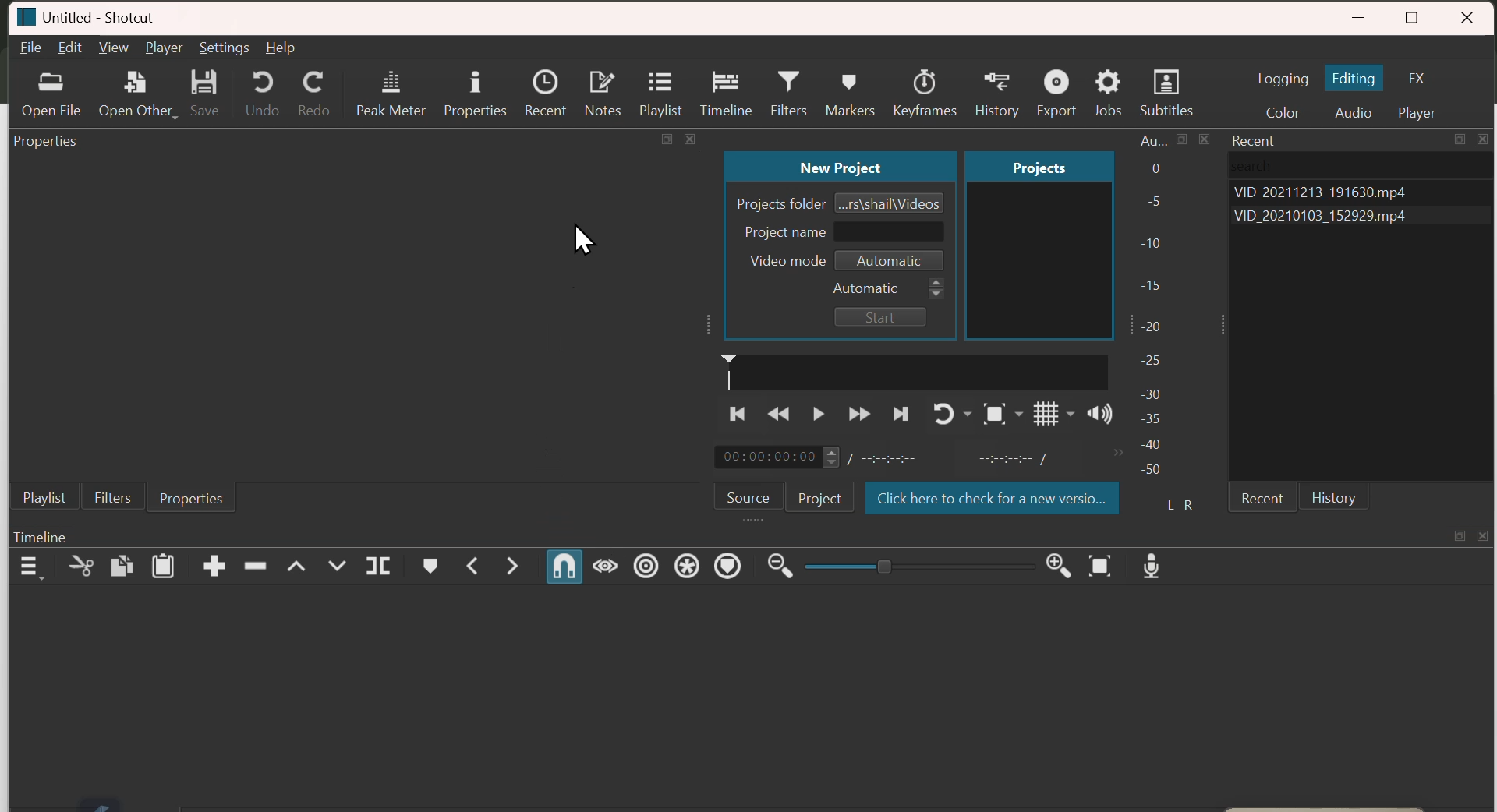  What do you see at coordinates (1003, 415) in the screenshot?
I see `focus` at bounding box center [1003, 415].